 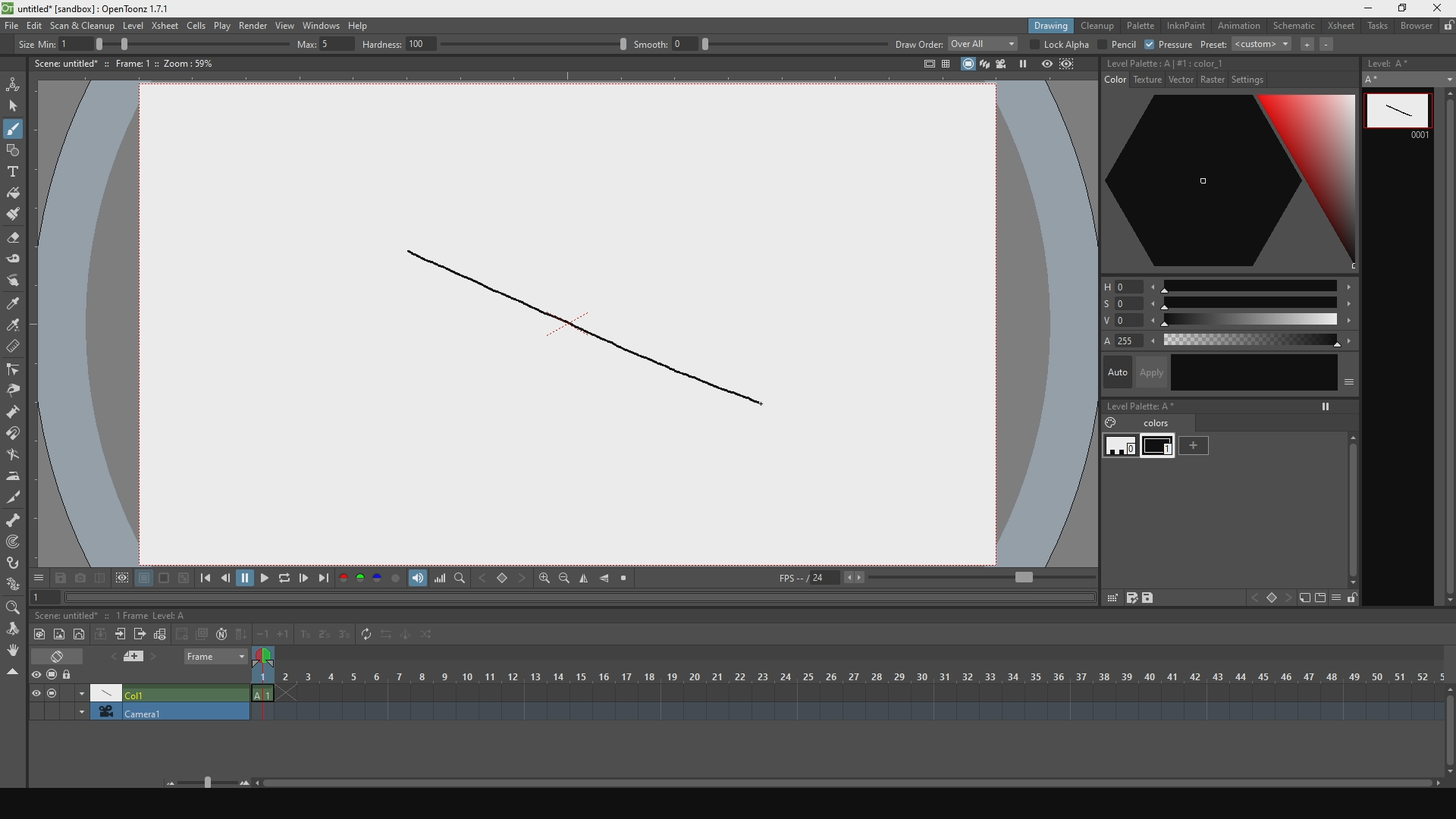 I want to click on backward and forward, so click(x=504, y=579).